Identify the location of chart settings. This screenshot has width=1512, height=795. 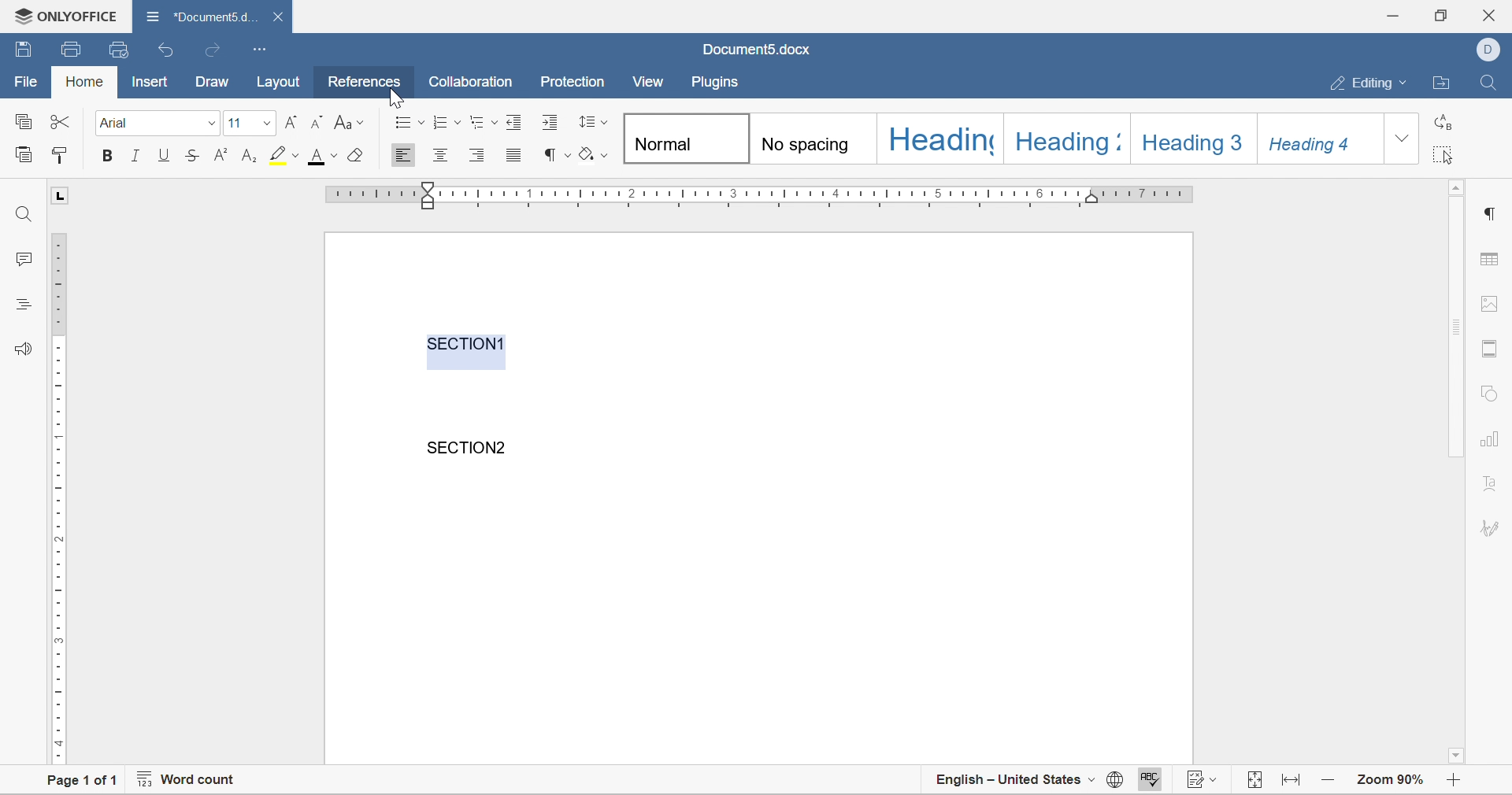
(1492, 441).